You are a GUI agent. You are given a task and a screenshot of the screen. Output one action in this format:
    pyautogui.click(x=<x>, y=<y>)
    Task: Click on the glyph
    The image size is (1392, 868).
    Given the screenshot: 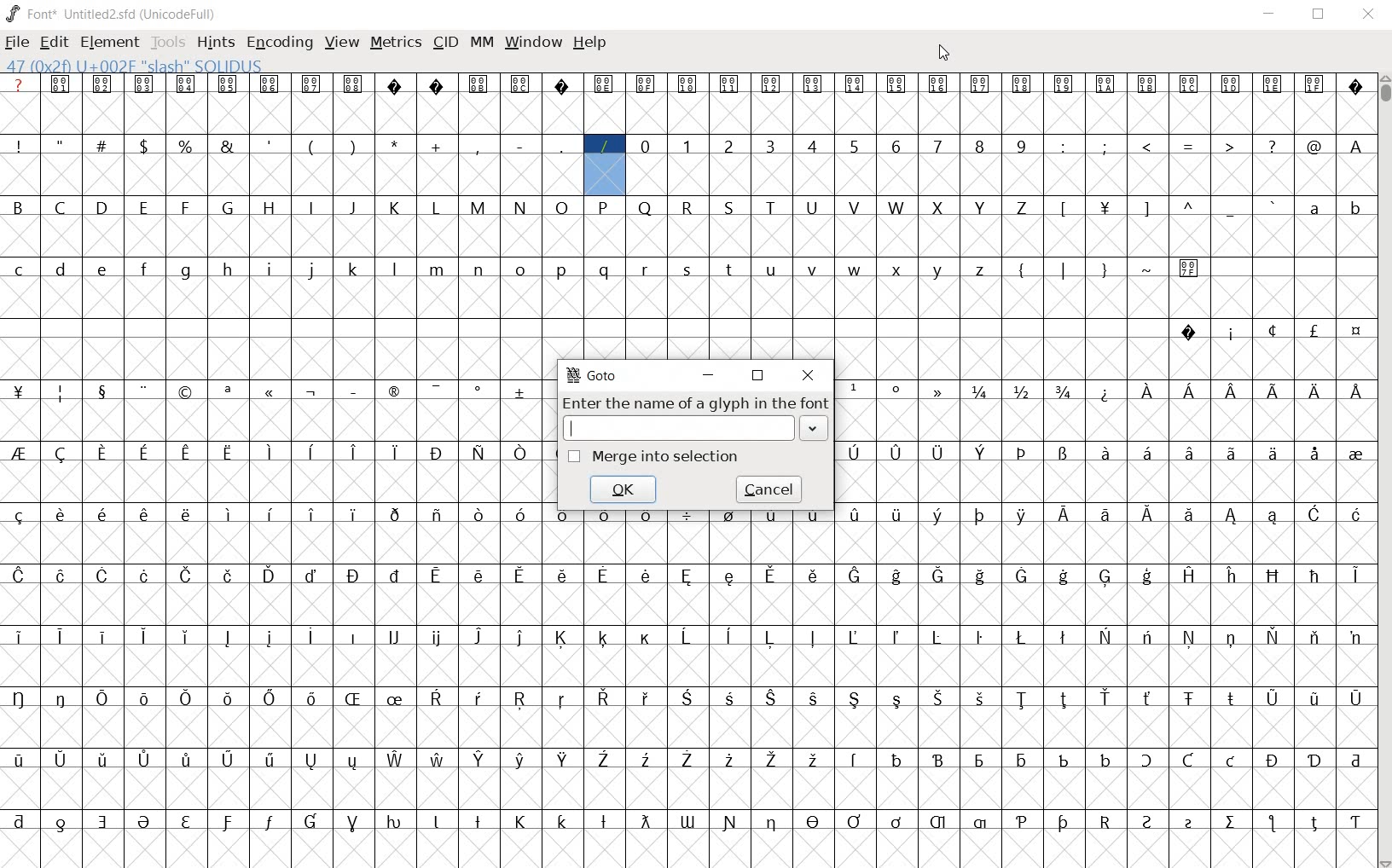 What is the action you would take?
    pyautogui.click(x=437, y=576)
    